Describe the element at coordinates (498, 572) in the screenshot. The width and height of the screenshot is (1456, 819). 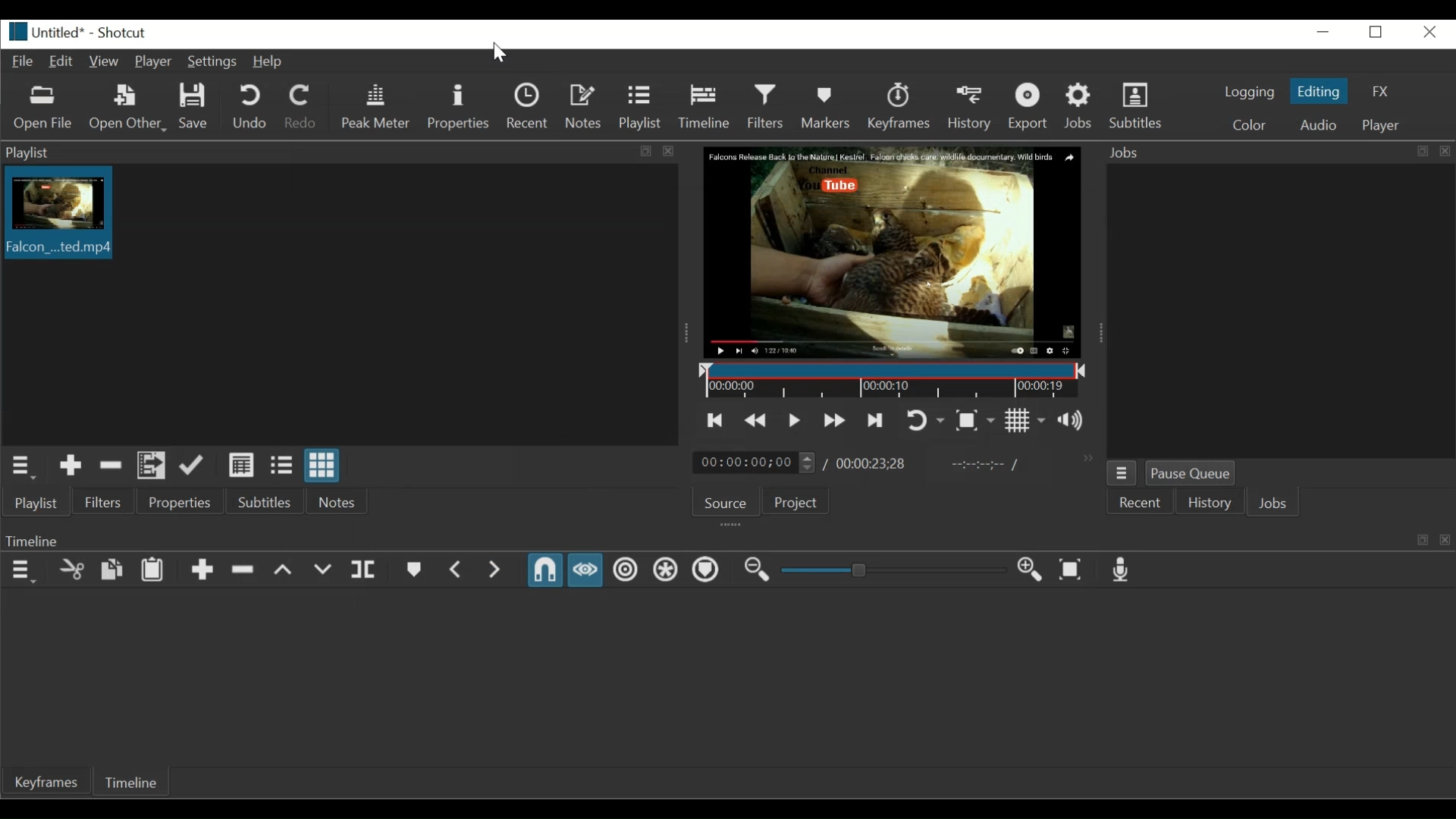
I see `Next marker` at that location.